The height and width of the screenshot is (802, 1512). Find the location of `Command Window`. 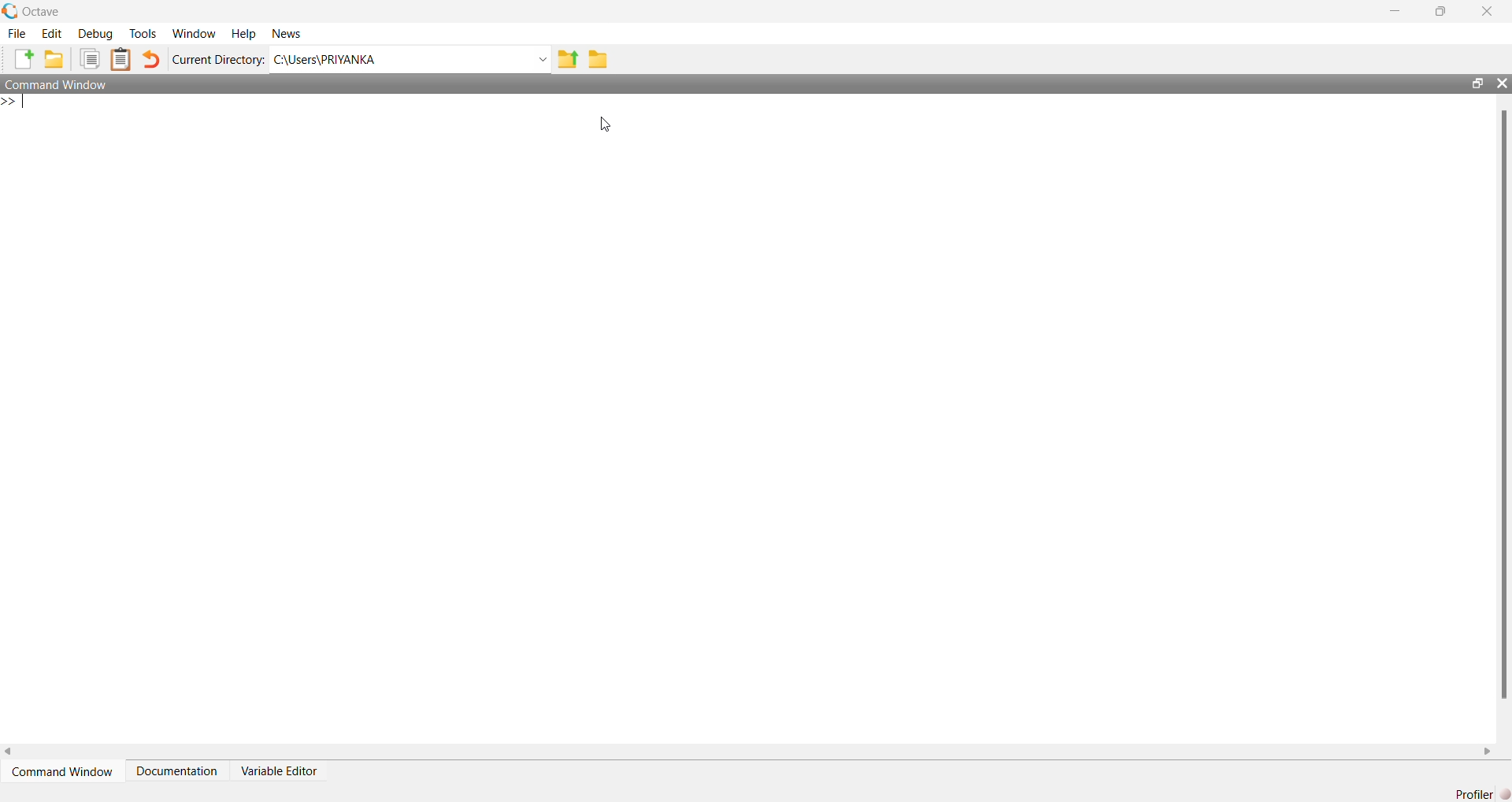

Command Window is located at coordinates (61, 771).